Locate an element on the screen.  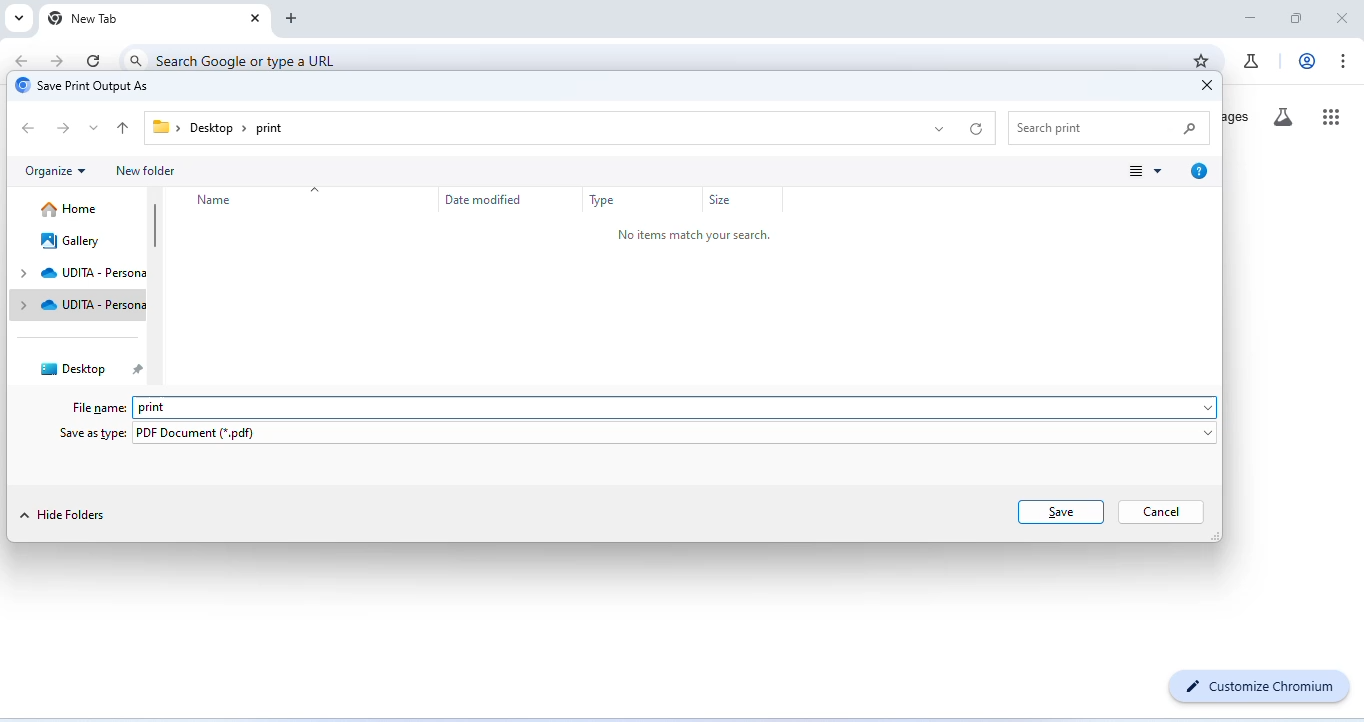
next folder is located at coordinates (67, 130).